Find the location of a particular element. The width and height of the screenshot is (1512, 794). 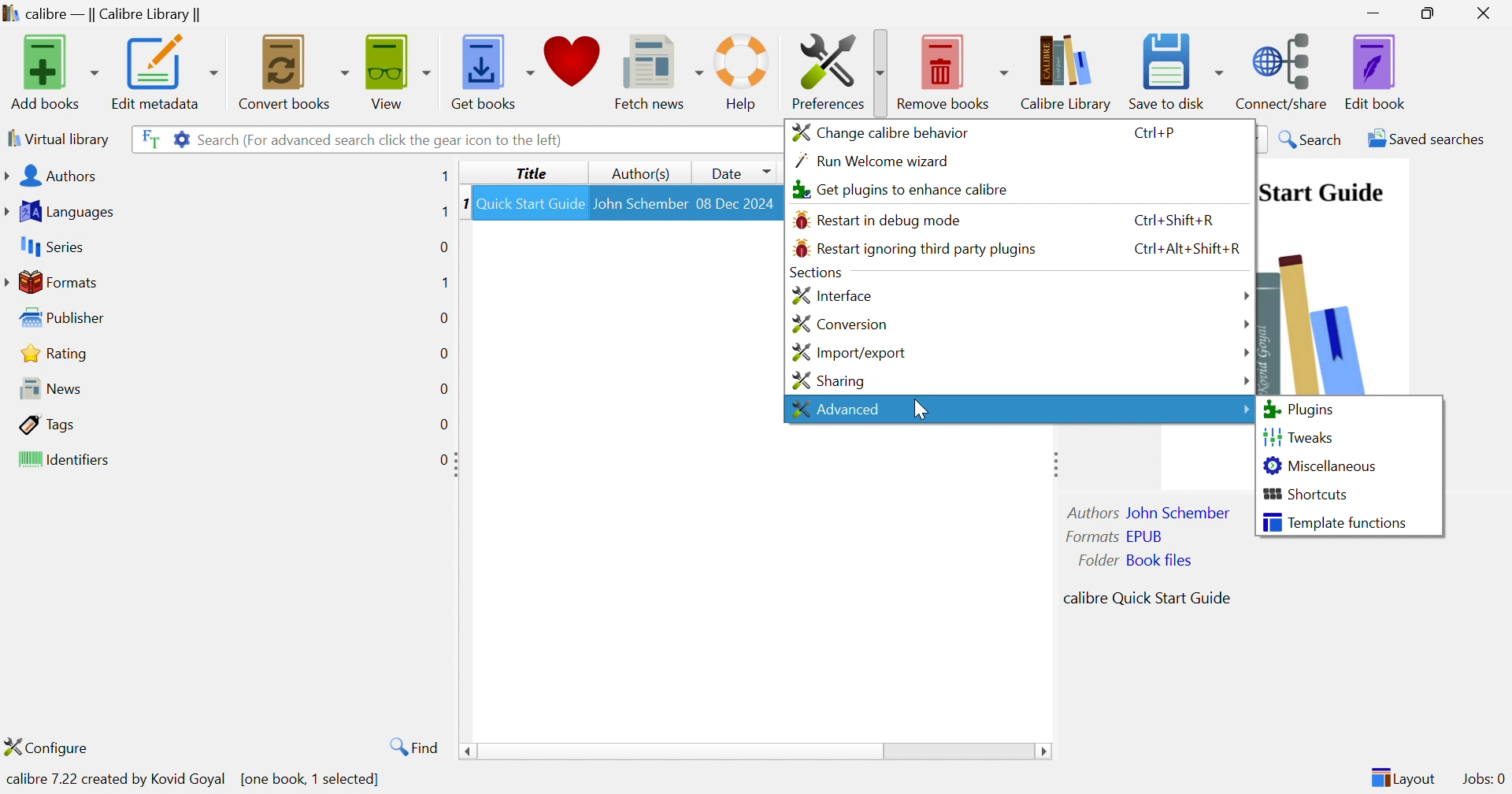

Publisher is located at coordinates (66, 318).